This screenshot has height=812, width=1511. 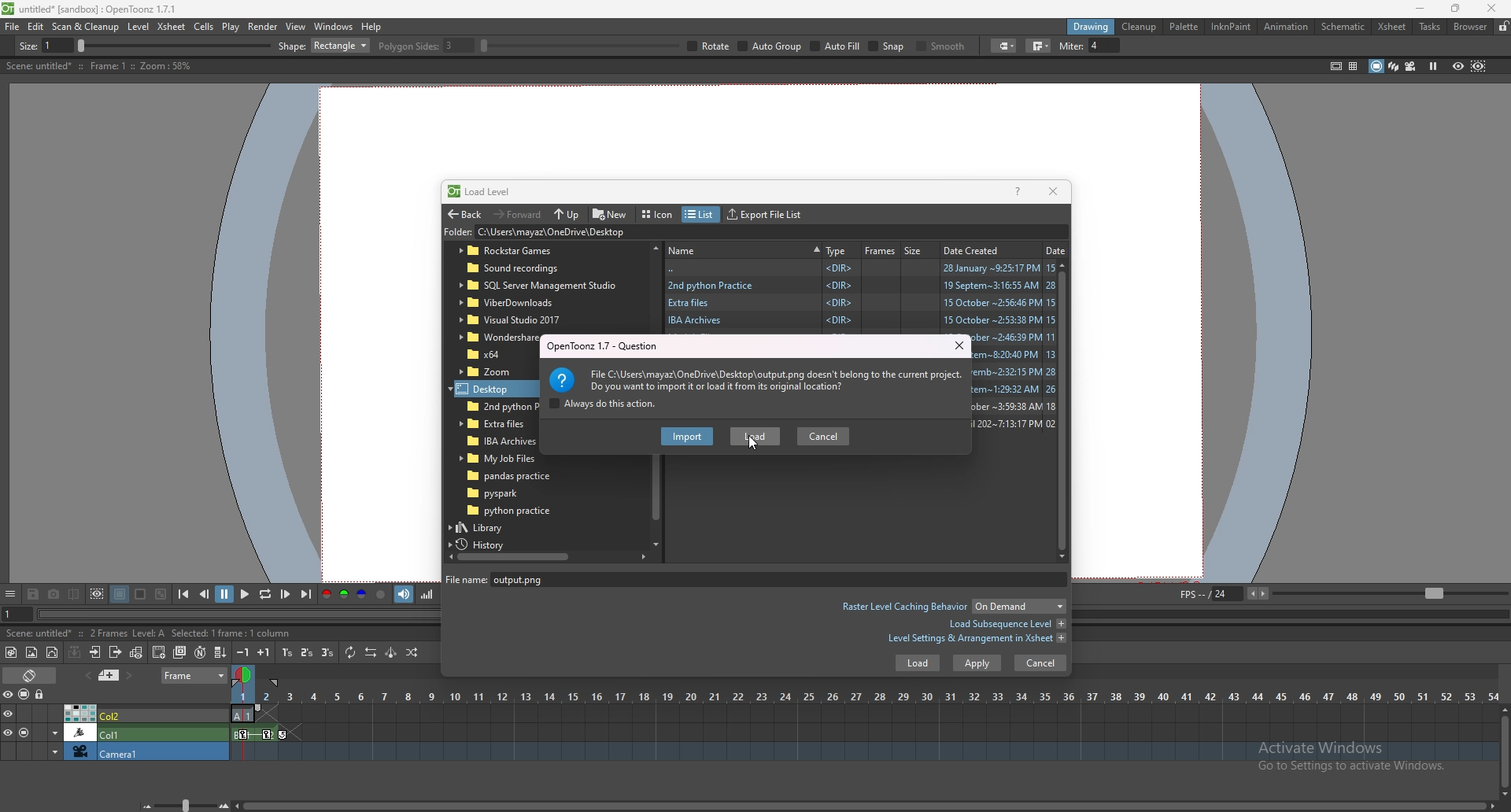 What do you see at coordinates (195, 674) in the screenshot?
I see `frame` at bounding box center [195, 674].